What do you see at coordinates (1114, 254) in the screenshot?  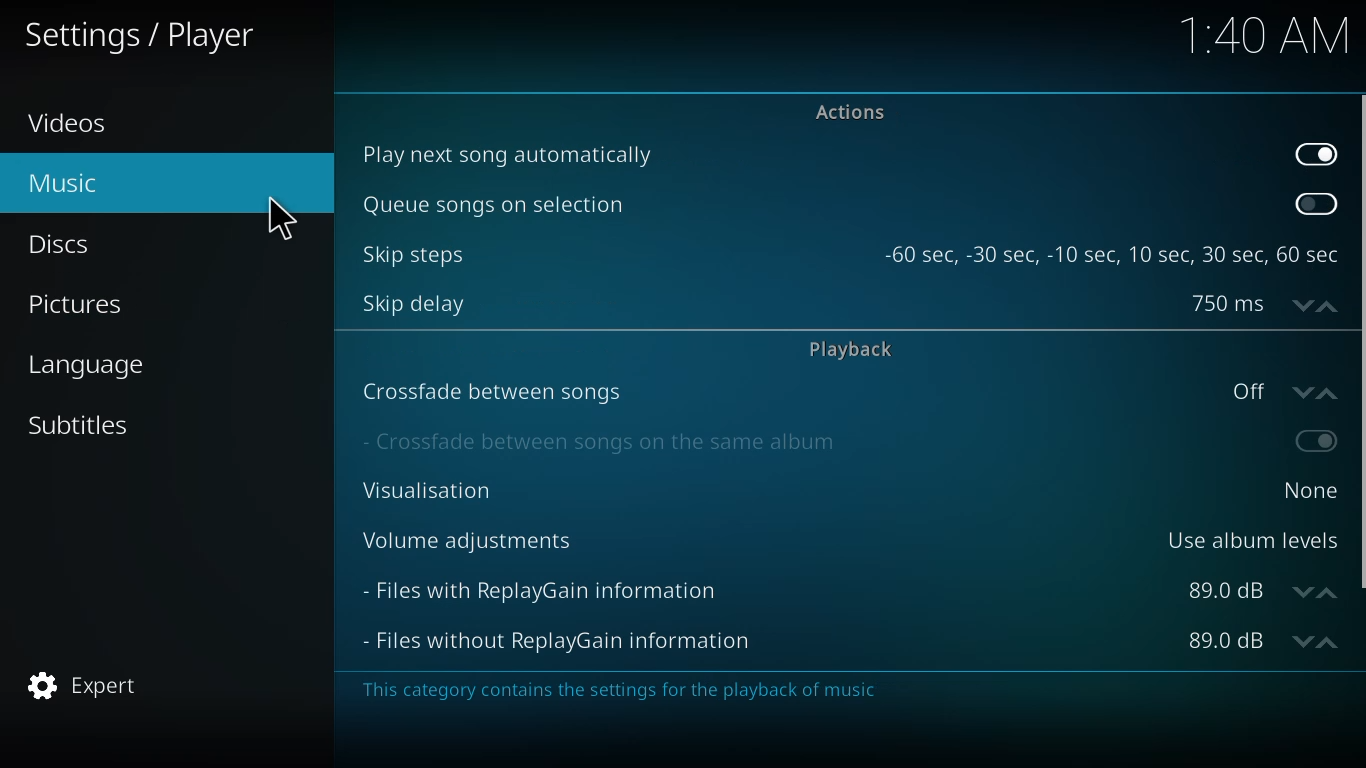 I see `steps` at bounding box center [1114, 254].